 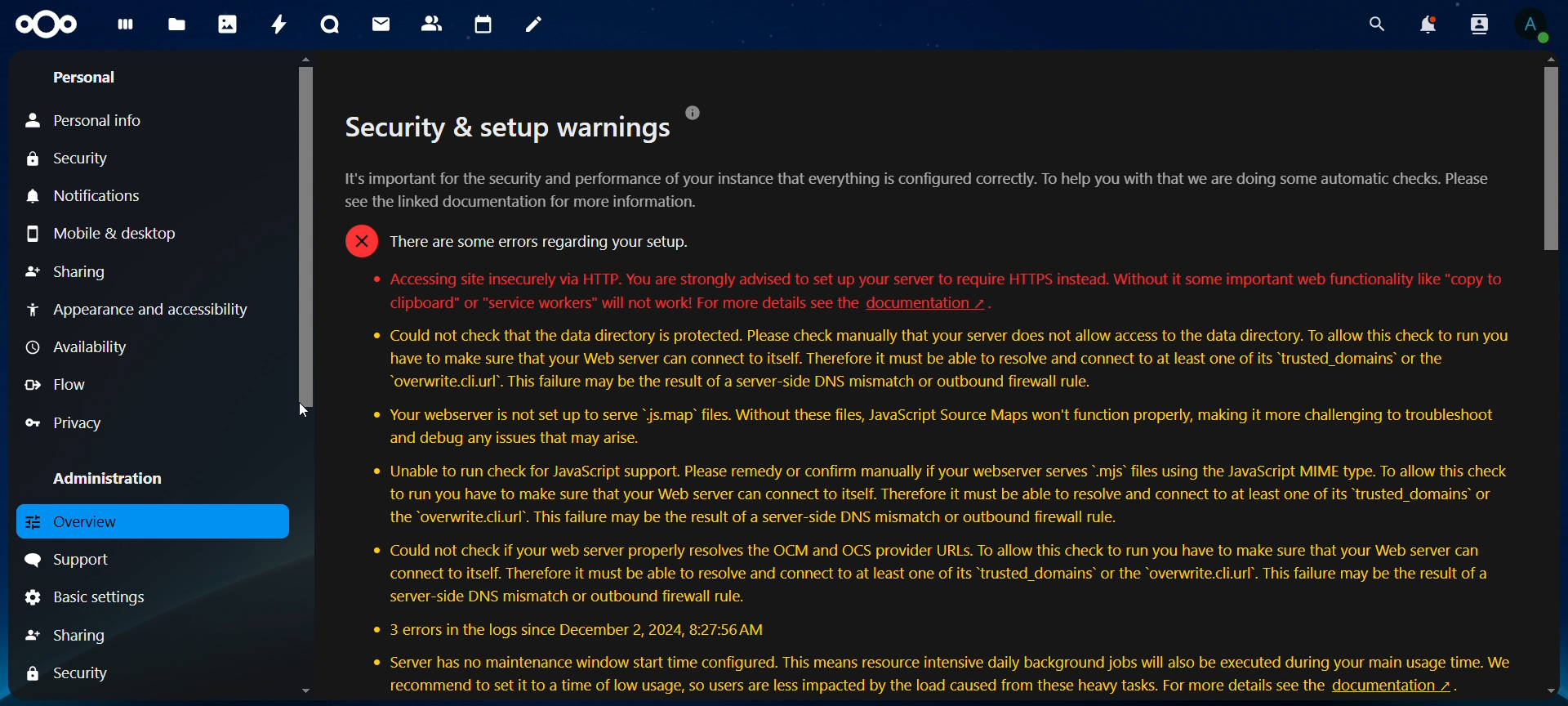 I want to click on cursor, so click(x=304, y=409).